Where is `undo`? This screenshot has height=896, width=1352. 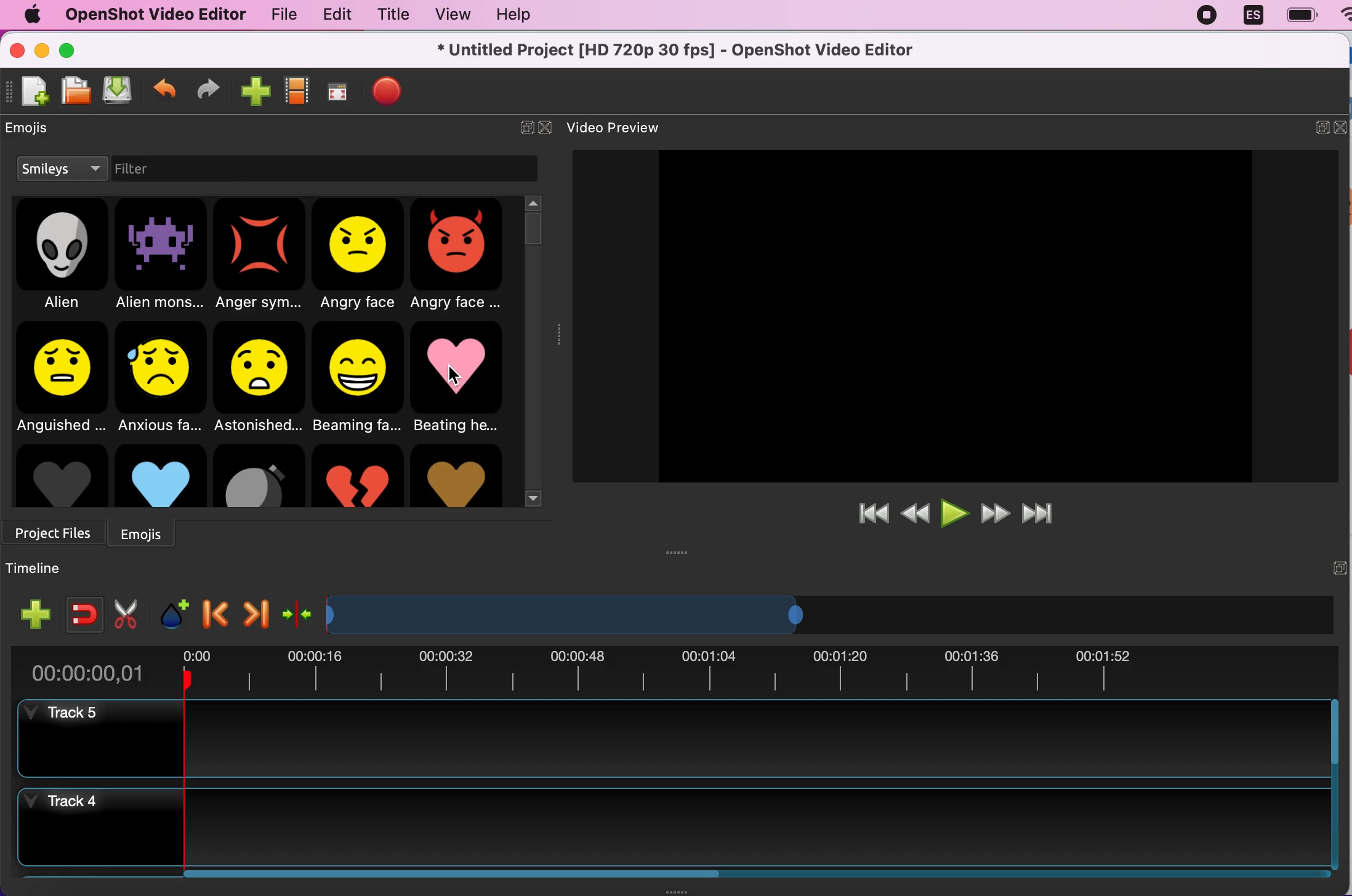
undo is located at coordinates (165, 86).